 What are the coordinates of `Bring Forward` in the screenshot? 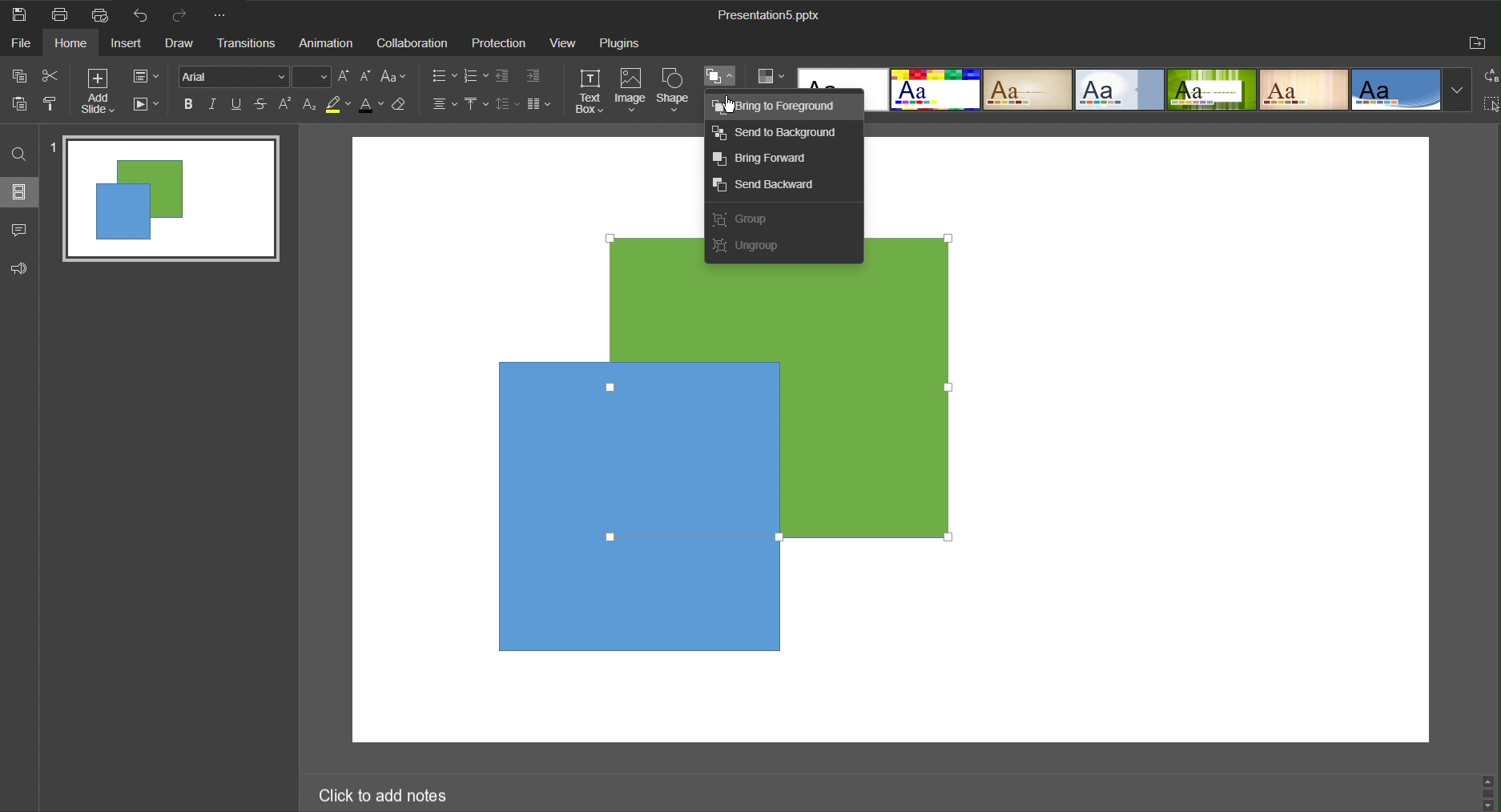 It's located at (769, 159).